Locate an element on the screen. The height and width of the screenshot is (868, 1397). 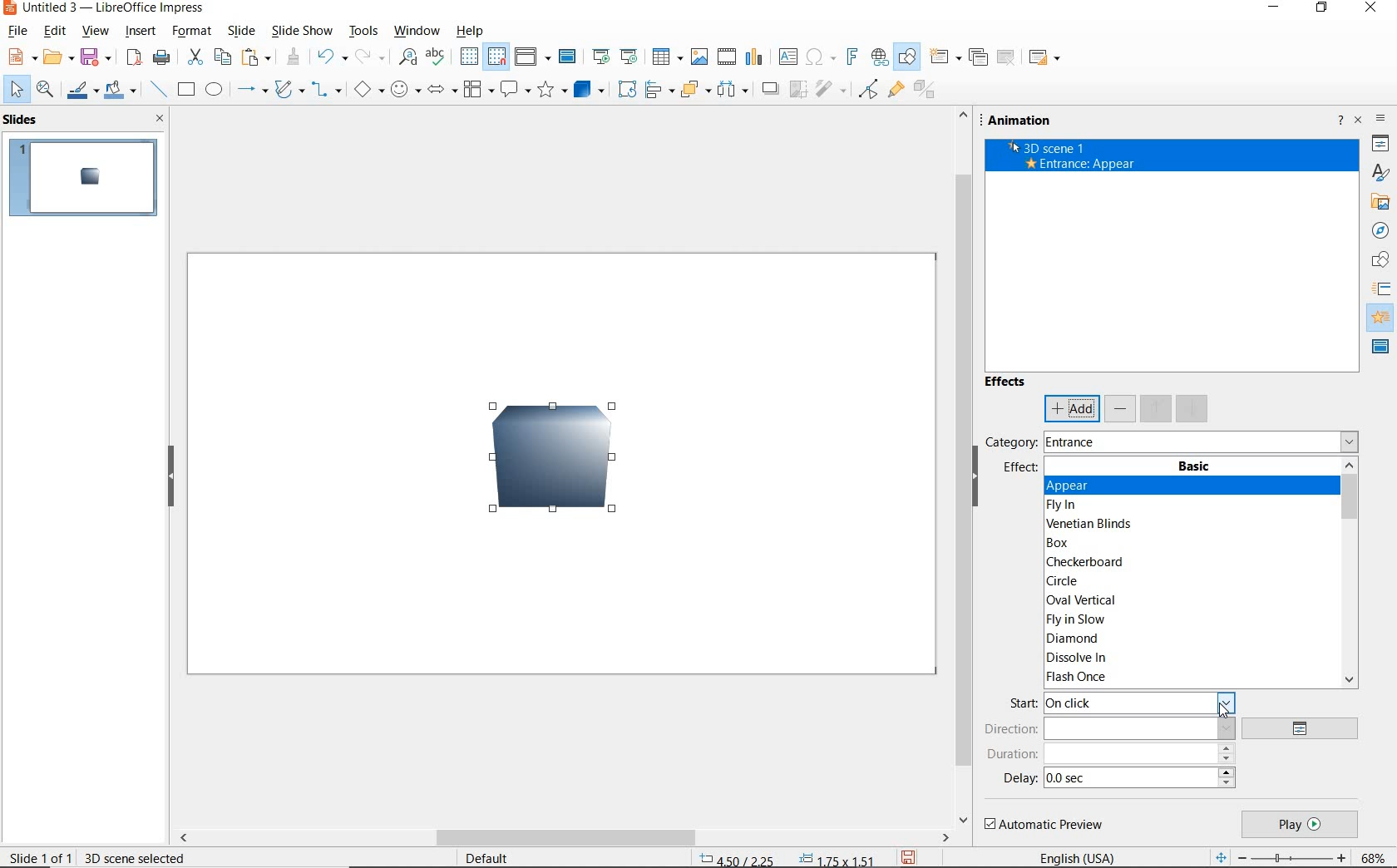
FLY IN is located at coordinates (1065, 506).